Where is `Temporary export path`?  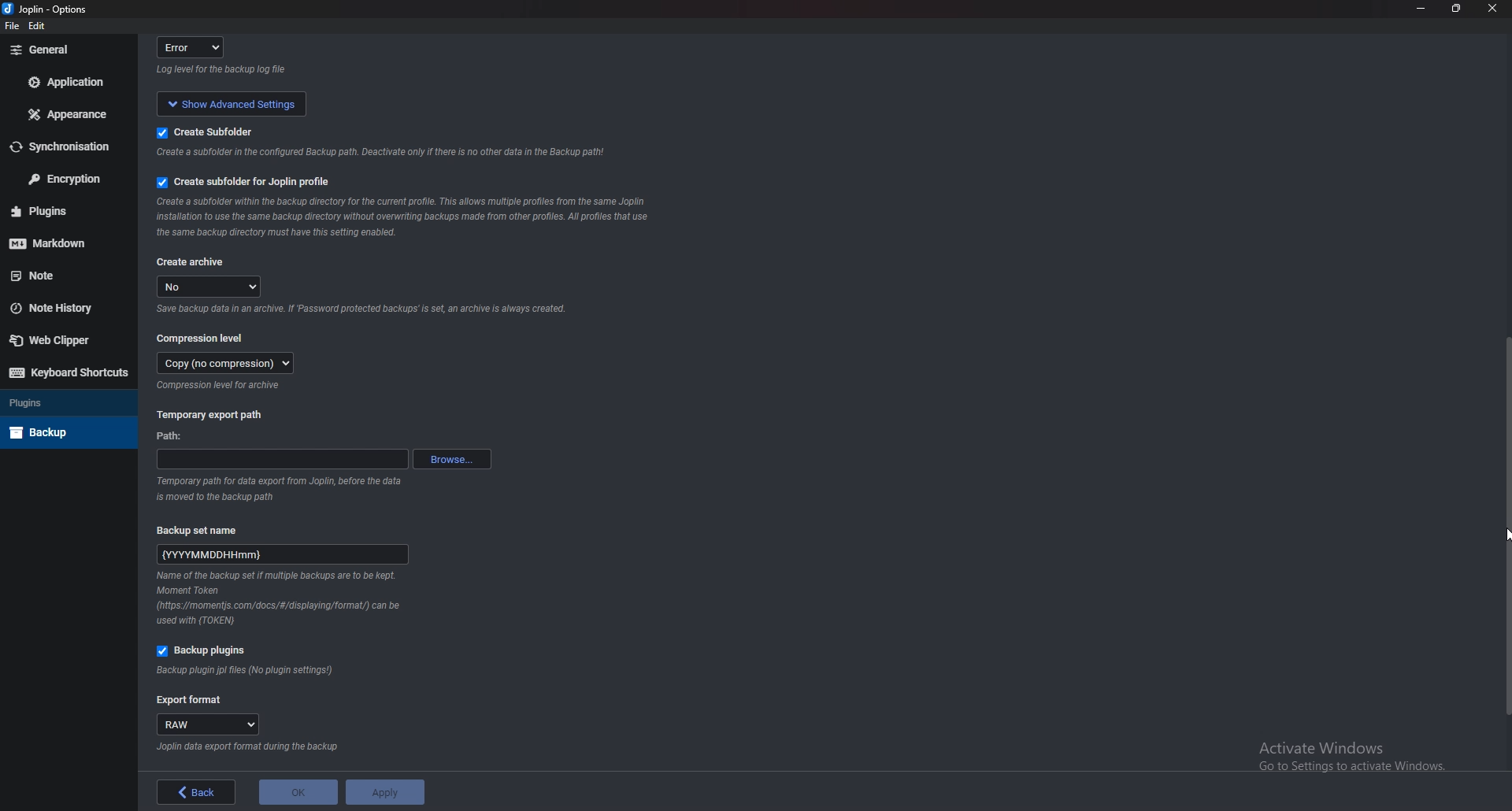 Temporary export path is located at coordinates (211, 414).